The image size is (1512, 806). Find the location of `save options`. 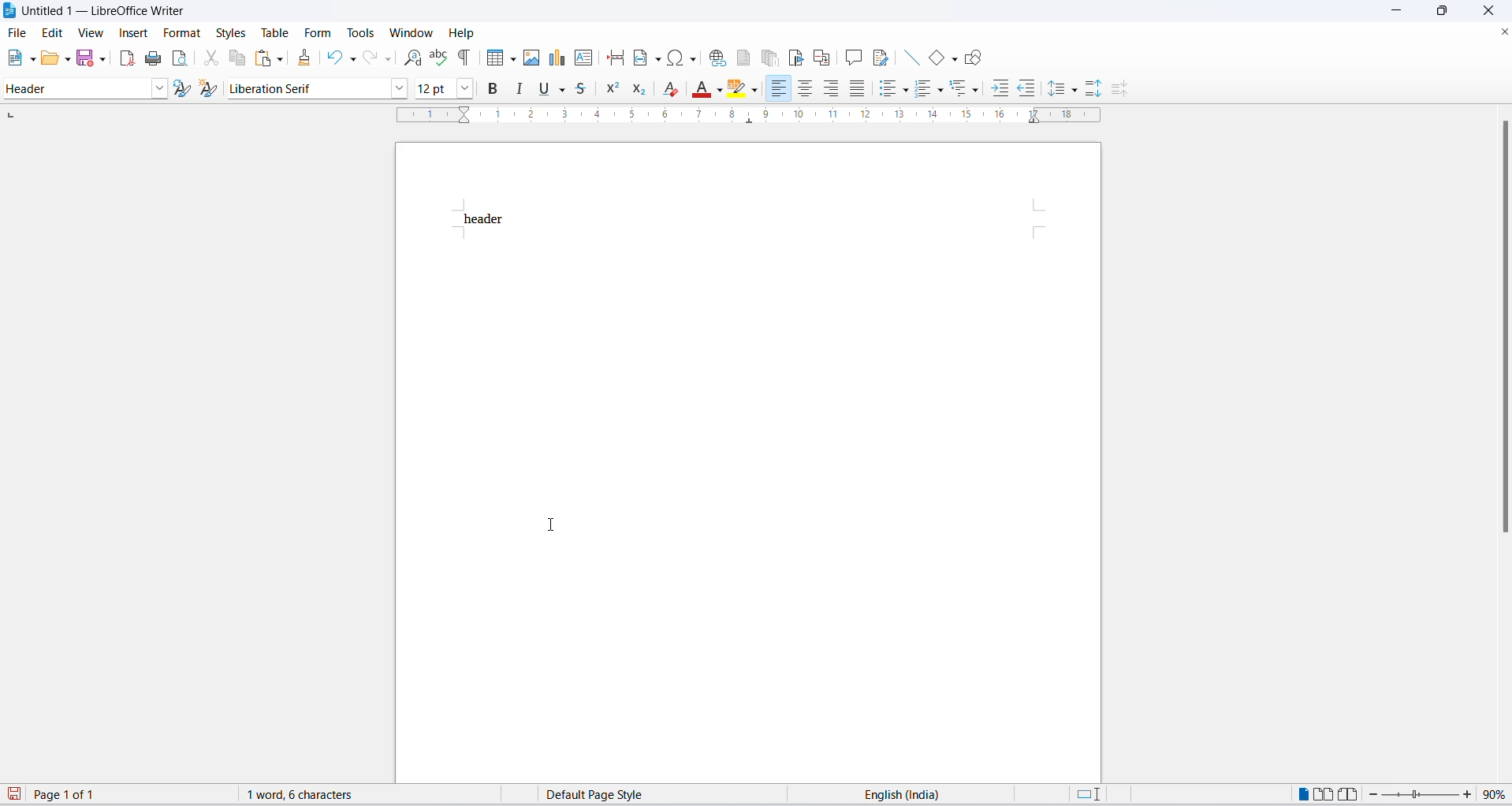

save options is located at coordinates (102, 59).